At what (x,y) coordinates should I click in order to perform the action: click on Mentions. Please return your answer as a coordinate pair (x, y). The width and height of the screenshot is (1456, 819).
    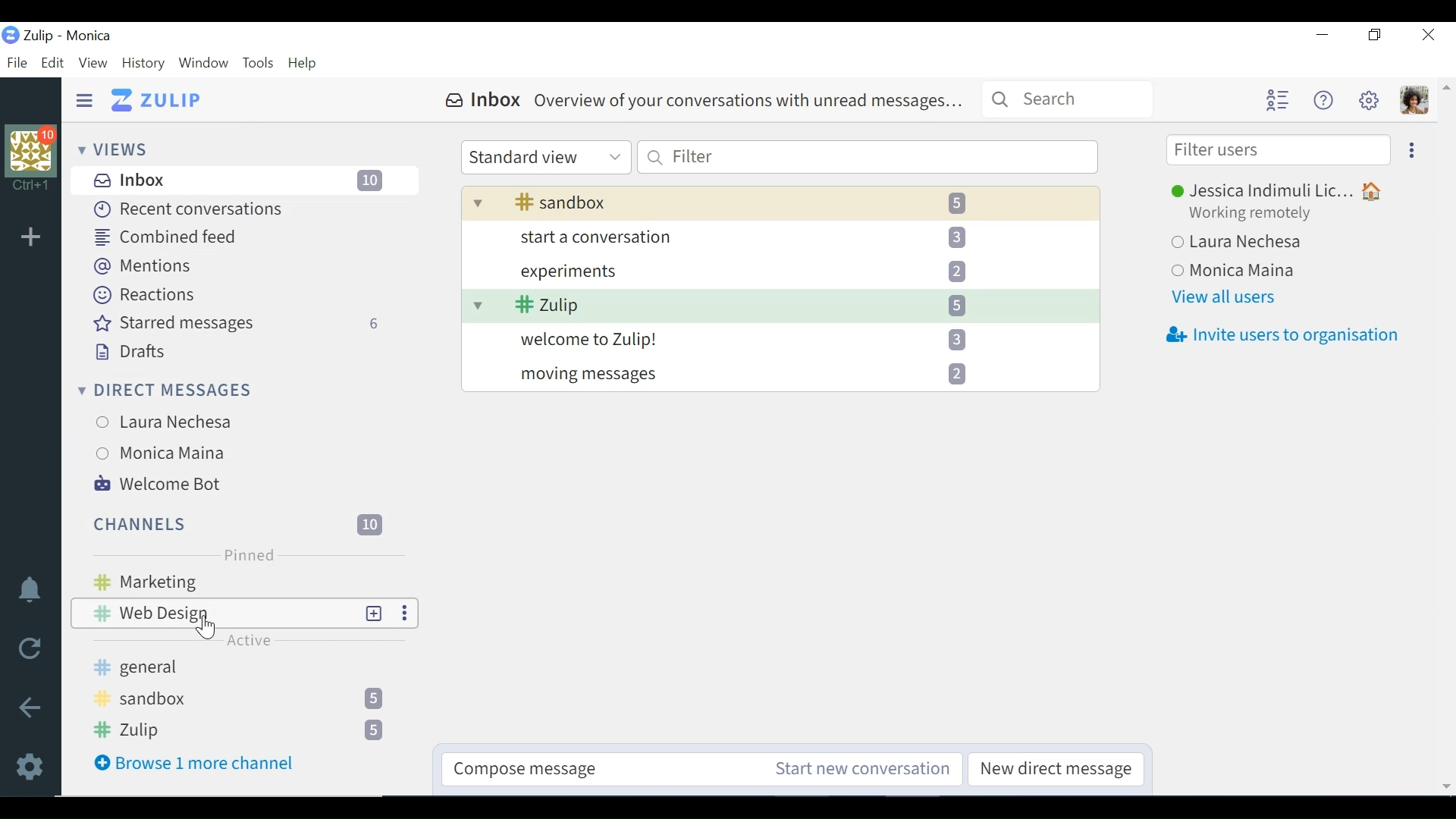
    Looking at the image, I should click on (143, 266).